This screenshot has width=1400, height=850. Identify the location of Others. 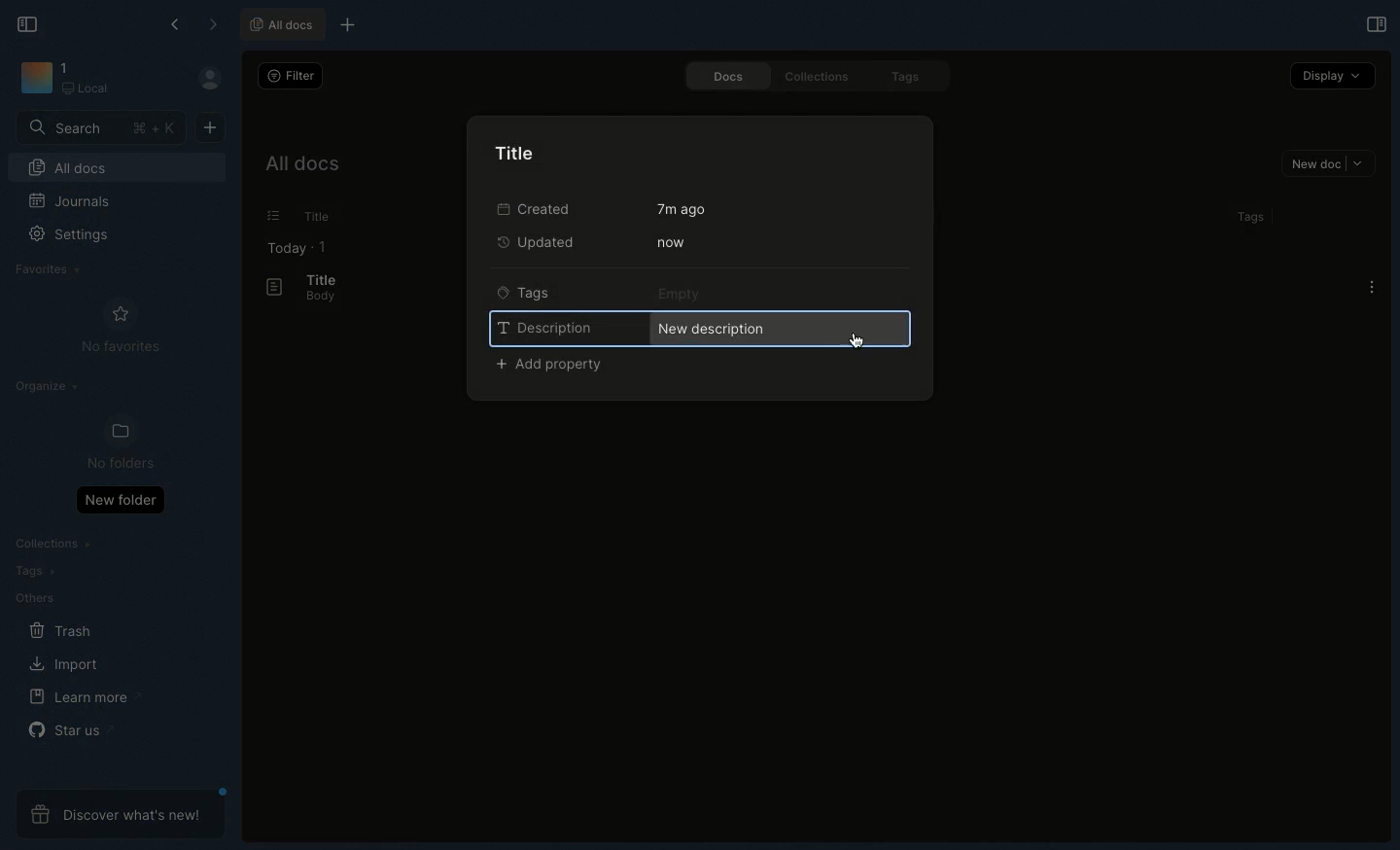
(34, 598).